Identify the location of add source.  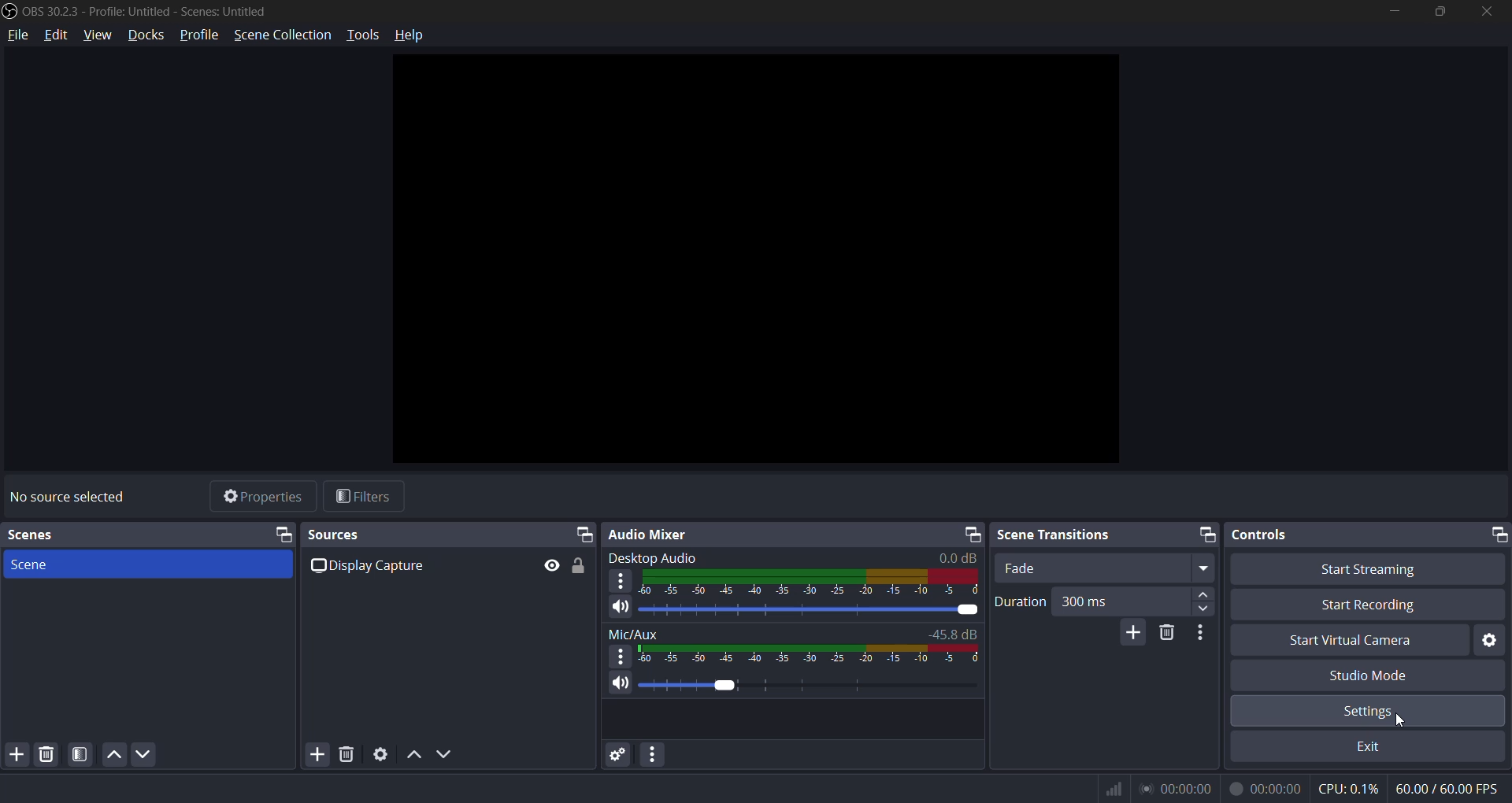
(317, 752).